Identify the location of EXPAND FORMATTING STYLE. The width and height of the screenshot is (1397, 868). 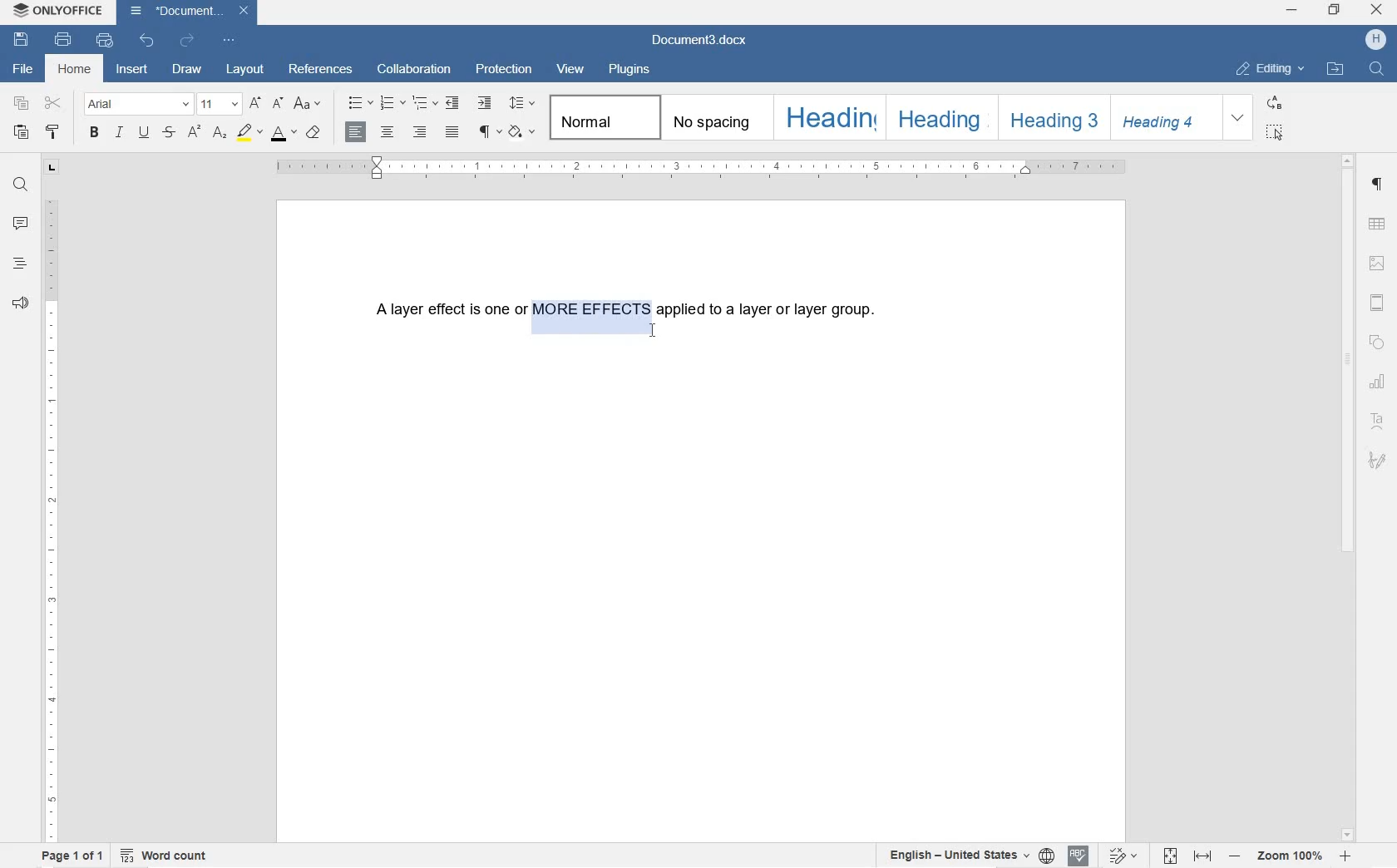
(1241, 118).